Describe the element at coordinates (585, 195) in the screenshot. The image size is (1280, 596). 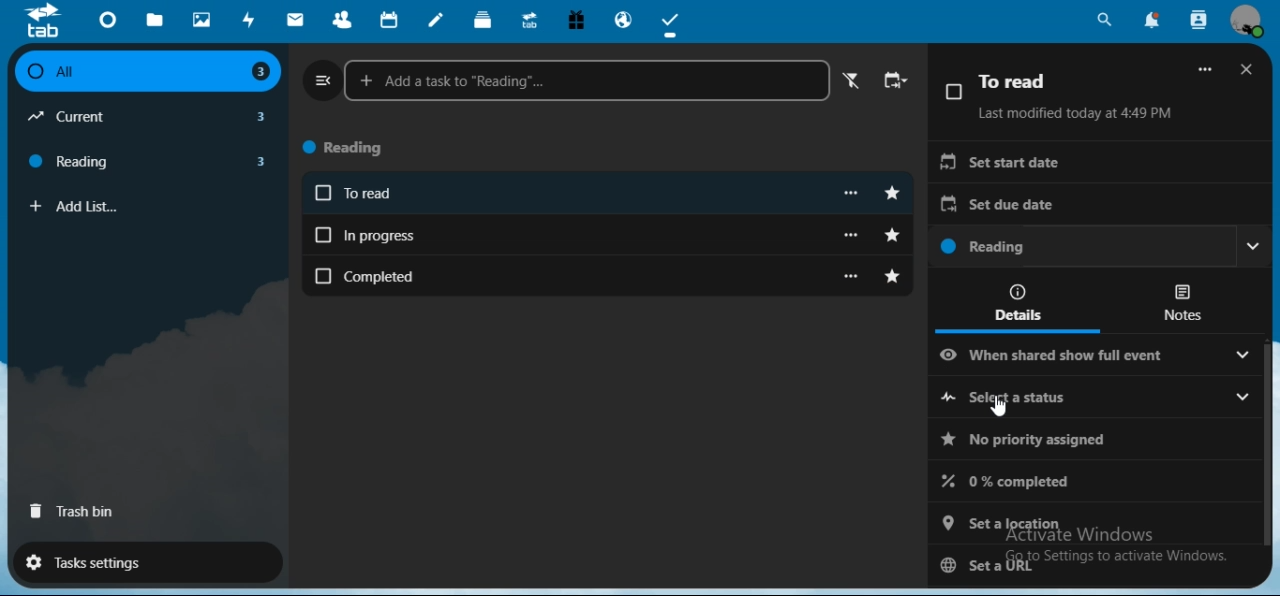
I see `To read` at that location.